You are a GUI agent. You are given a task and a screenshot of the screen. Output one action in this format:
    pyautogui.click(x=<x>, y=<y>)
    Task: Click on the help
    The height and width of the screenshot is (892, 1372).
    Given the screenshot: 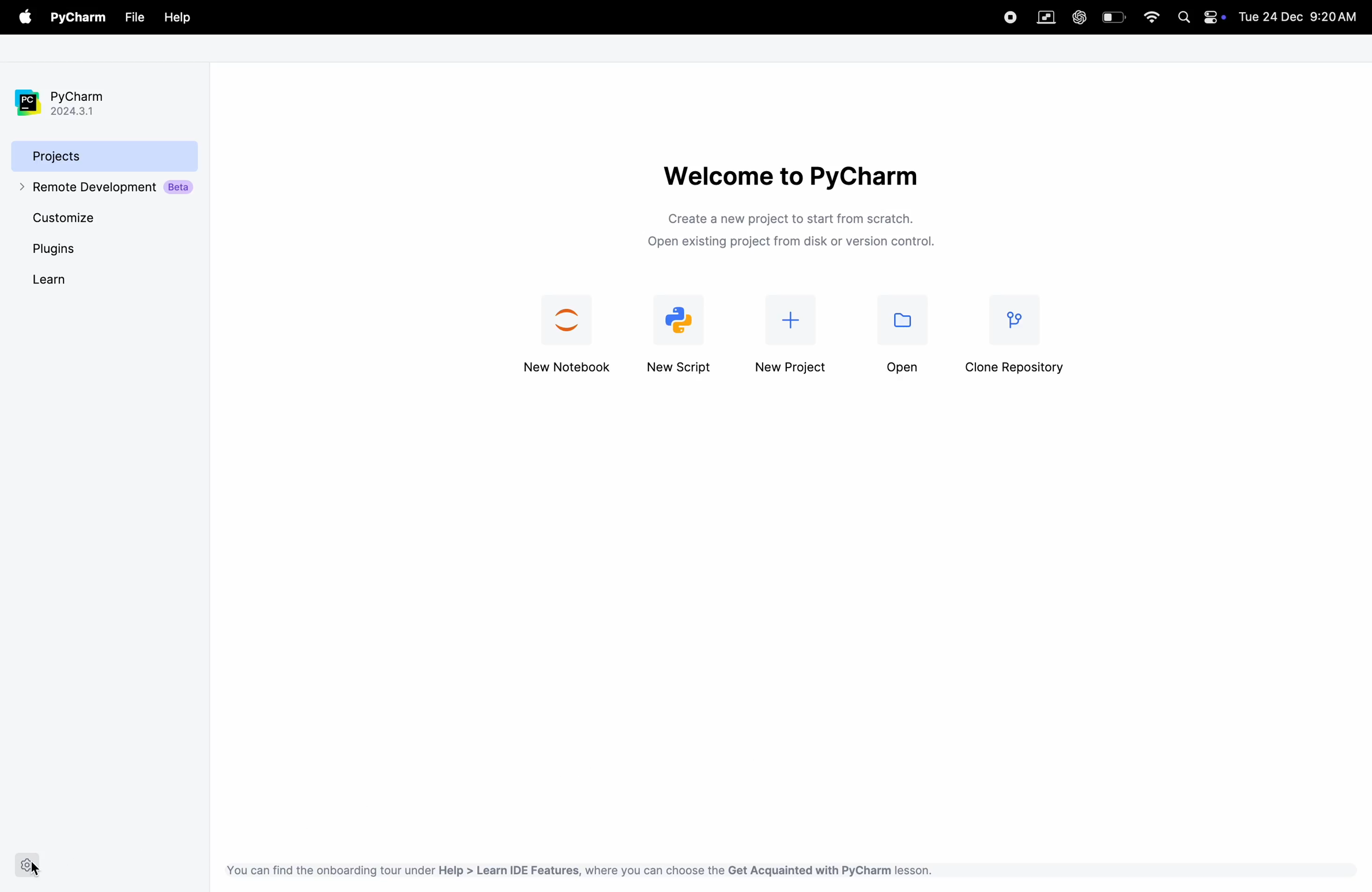 What is the action you would take?
    pyautogui.click(x=177, y=18)
    